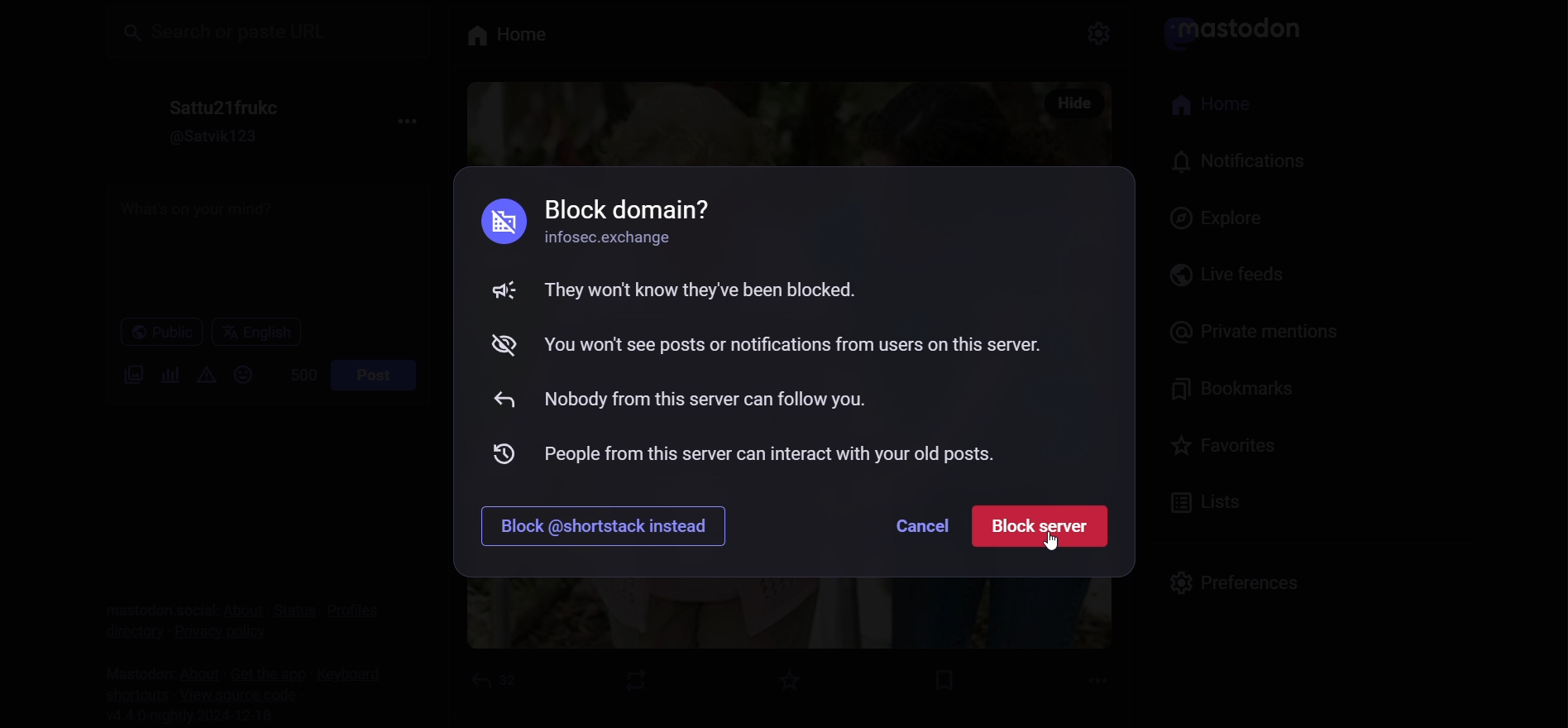 Image resolution: width=1568 pixels, height=728 pixels. Describe the element at coordinates (1055, 547) in the screenshot. I see `cursor` at that location.